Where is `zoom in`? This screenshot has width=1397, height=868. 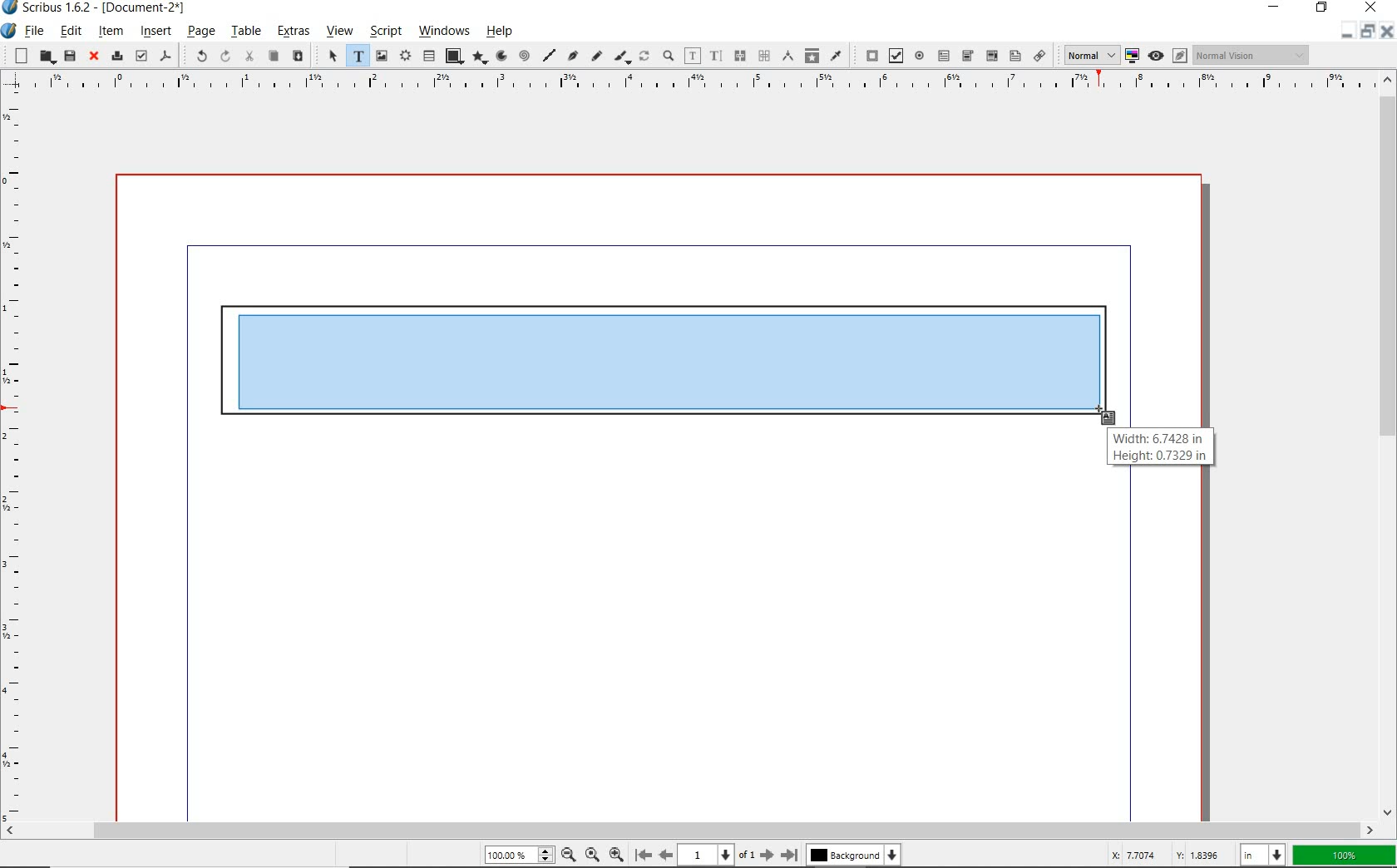 zoom in is located at coordinates (568, 854).